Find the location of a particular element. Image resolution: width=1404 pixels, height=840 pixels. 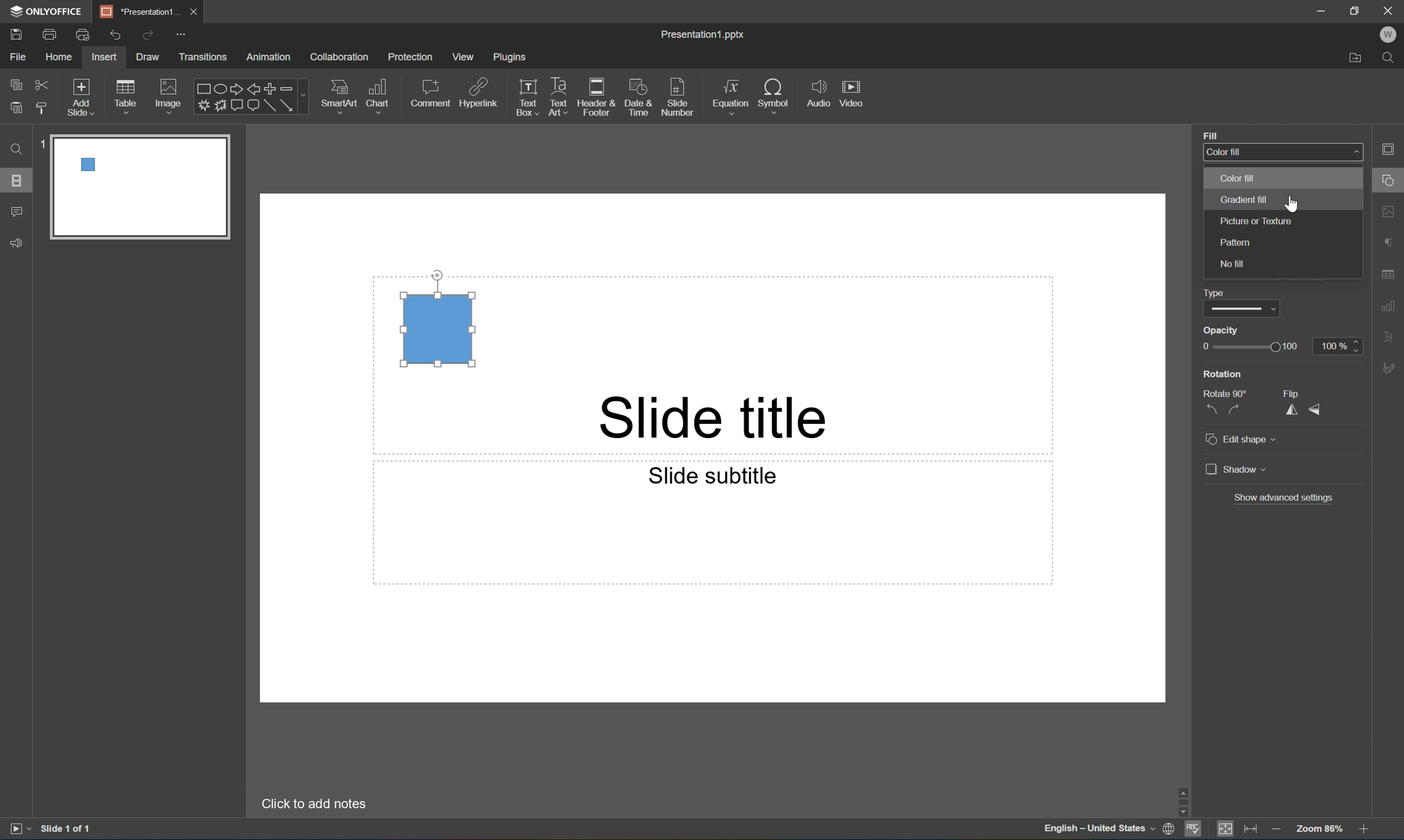

Symbol is located at coordinates (774, 94).